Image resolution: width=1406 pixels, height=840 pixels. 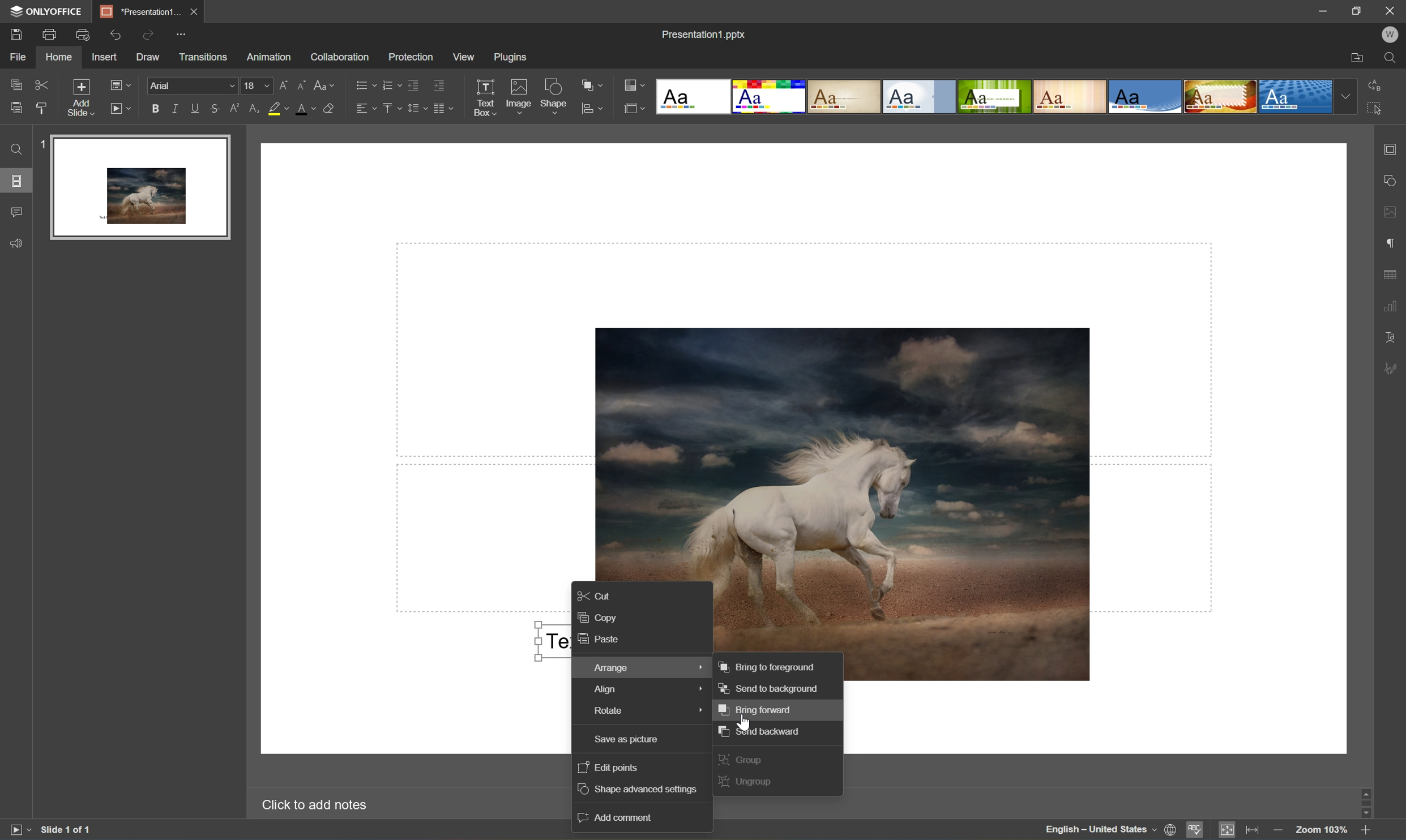 I want to click on View, so click(x=465, y=57).